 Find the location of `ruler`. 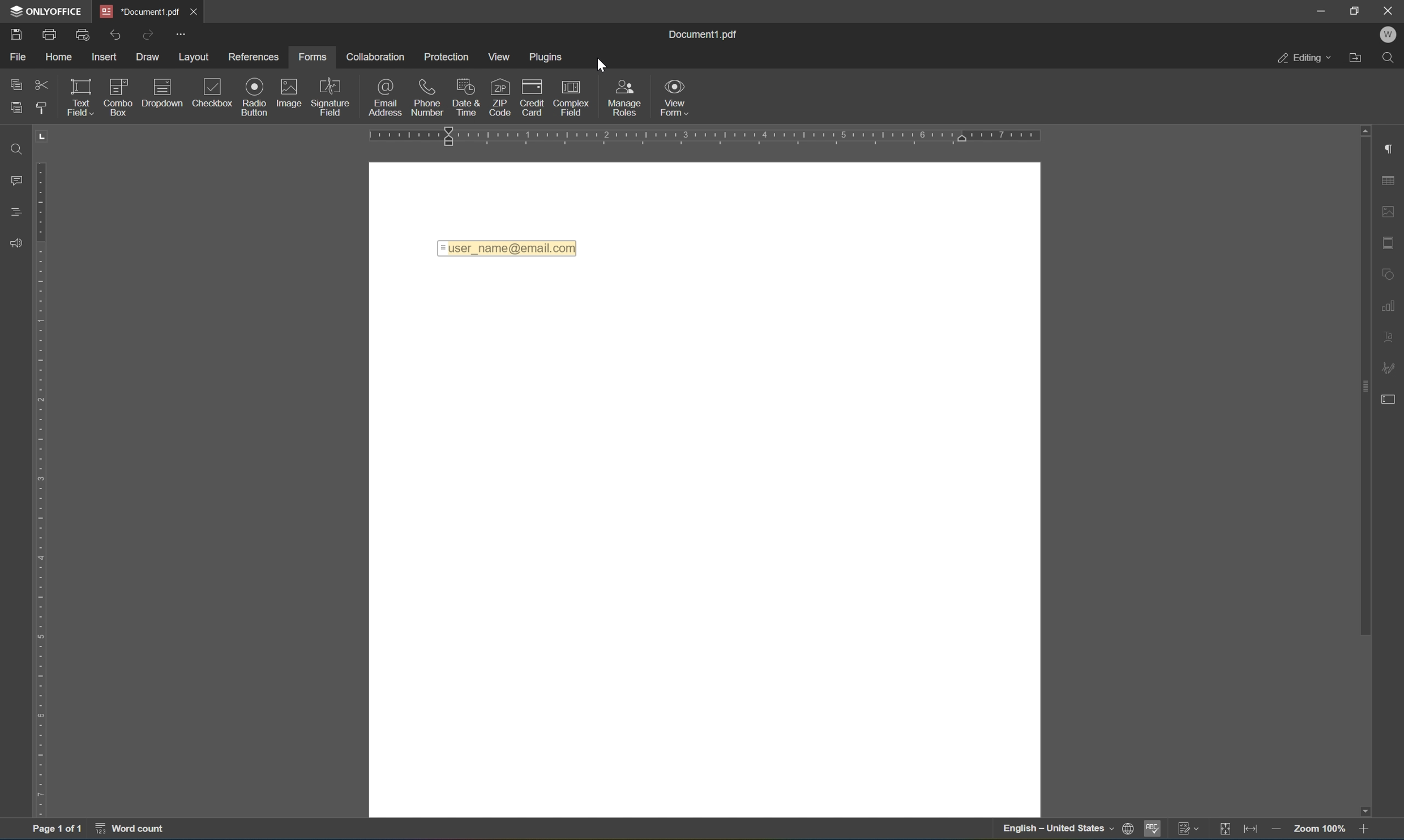

ruler is located at coordinates (705, 135).